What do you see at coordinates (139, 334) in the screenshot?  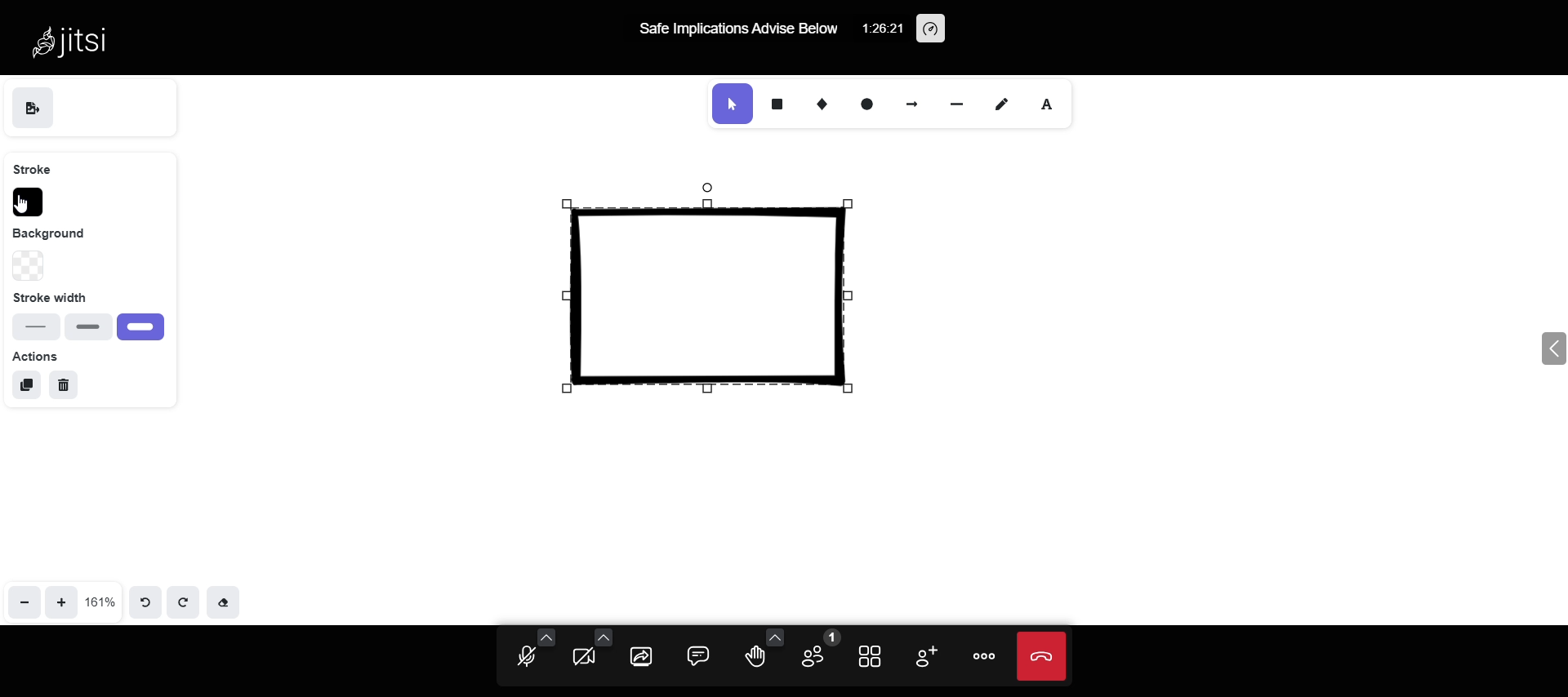 I see `extra bold` at bounding box center [139, 334].